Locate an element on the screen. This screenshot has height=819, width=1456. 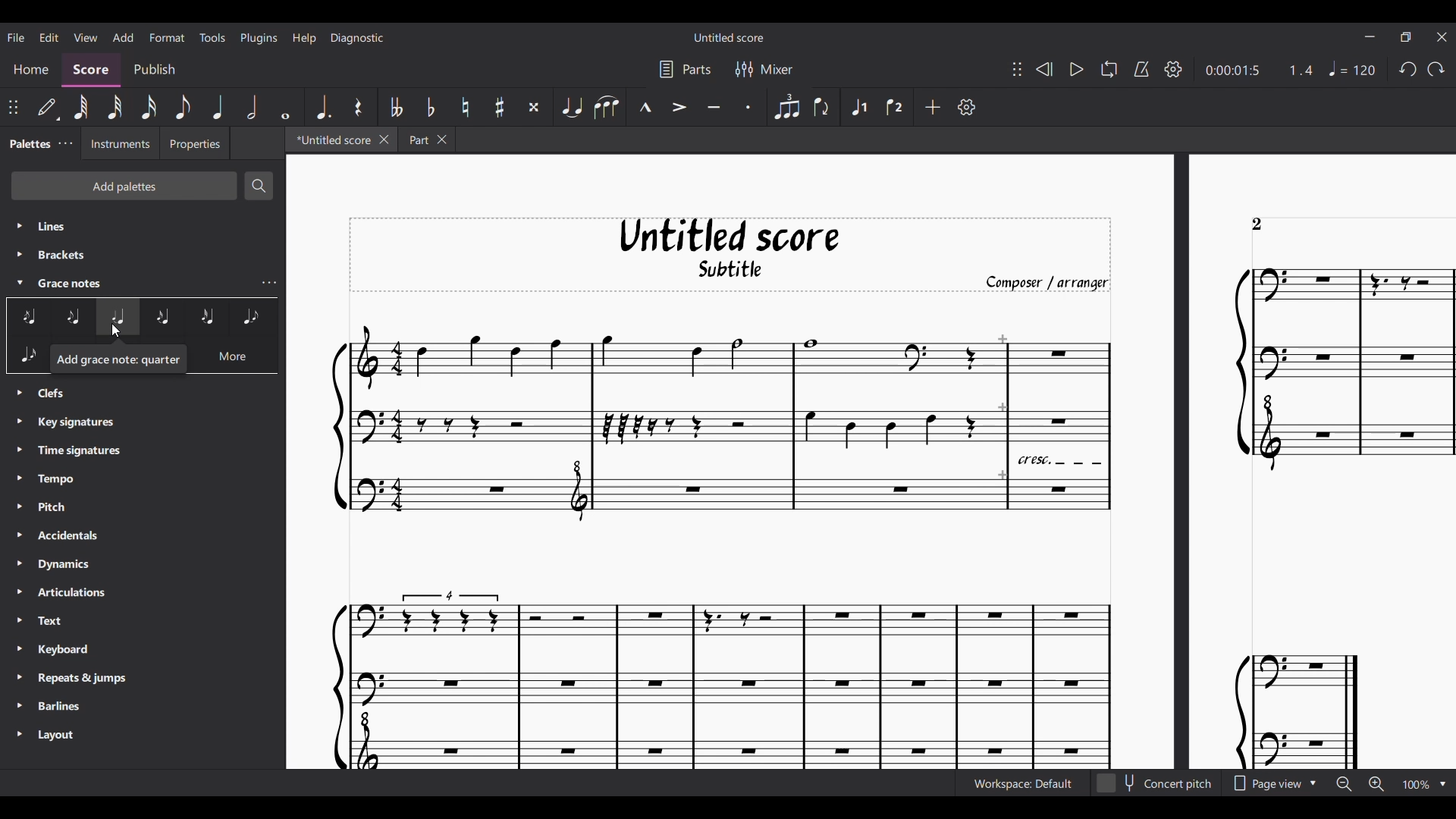
Augmentation dot is located at coordinates (322, 108).